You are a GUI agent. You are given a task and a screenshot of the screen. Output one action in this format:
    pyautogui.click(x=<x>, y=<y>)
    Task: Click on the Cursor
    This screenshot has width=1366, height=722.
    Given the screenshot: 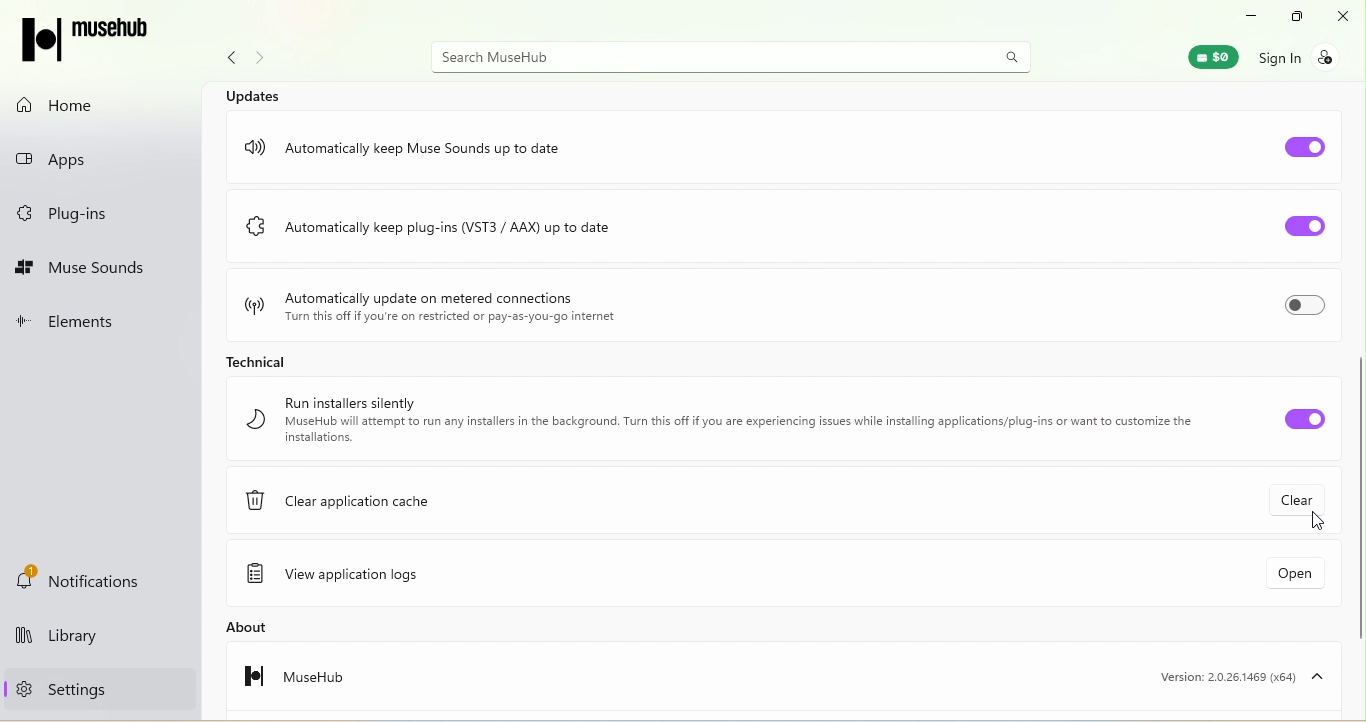 What is the action you would take?
    pyautogui.click(x=1318, y=524)
    